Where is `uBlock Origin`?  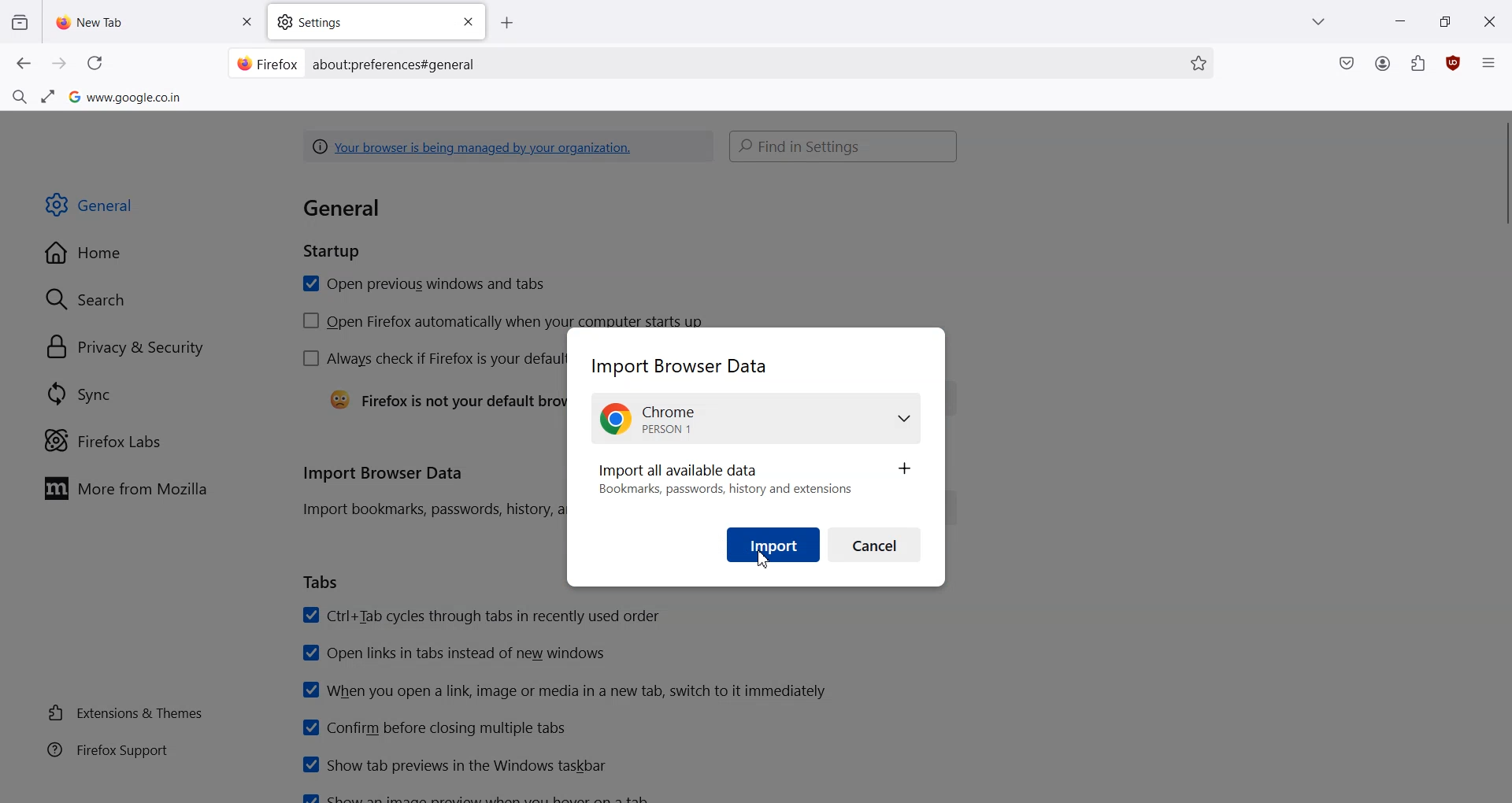 uBlock Origin is located at coordinates (1452, 63).